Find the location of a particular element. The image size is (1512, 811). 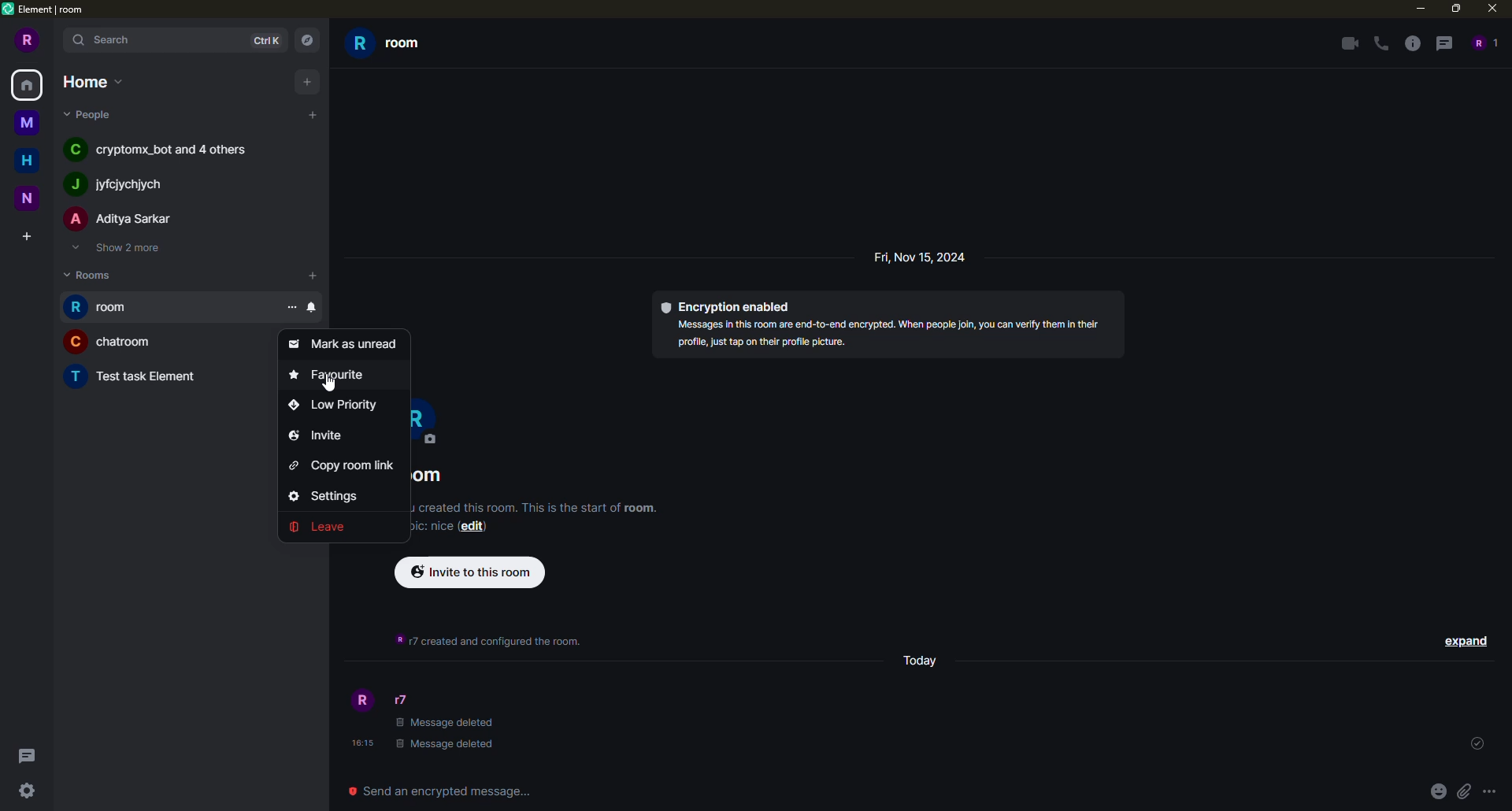

threads is located at coordinates (31, 755).